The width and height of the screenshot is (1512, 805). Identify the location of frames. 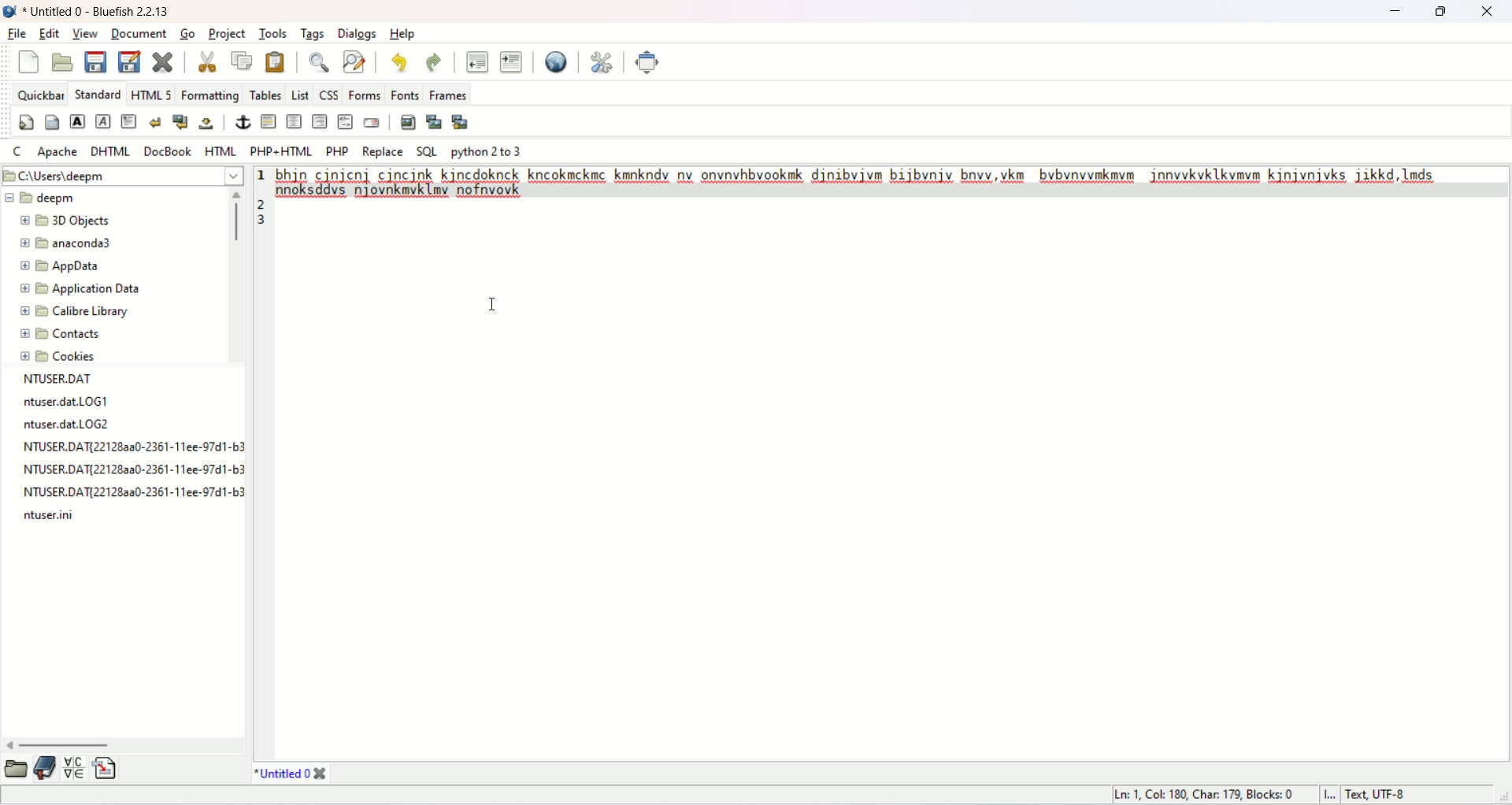
(450, 94).